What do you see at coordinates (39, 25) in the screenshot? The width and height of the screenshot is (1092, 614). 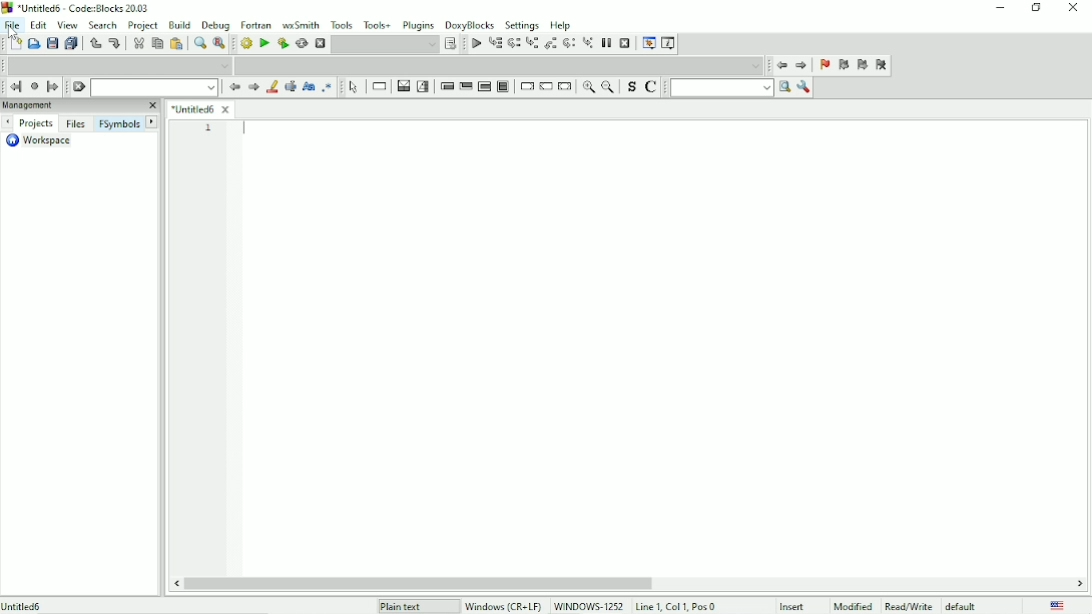 I see `Edit` at bounding box center [39, 25].